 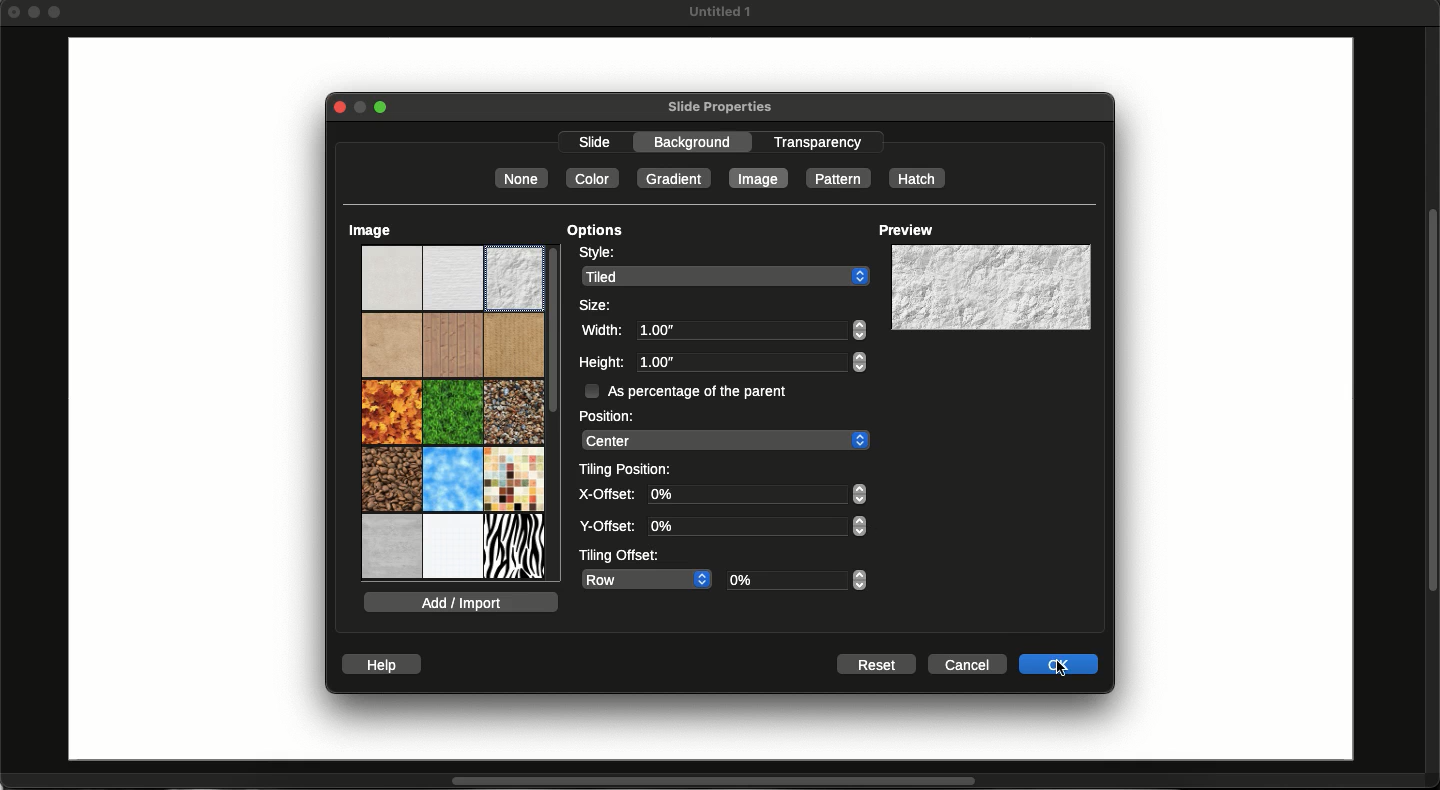 What do you see at coordinates (608, 527) in the screenshot?
I see `Y-offset:` at bounding box center [608, 527].